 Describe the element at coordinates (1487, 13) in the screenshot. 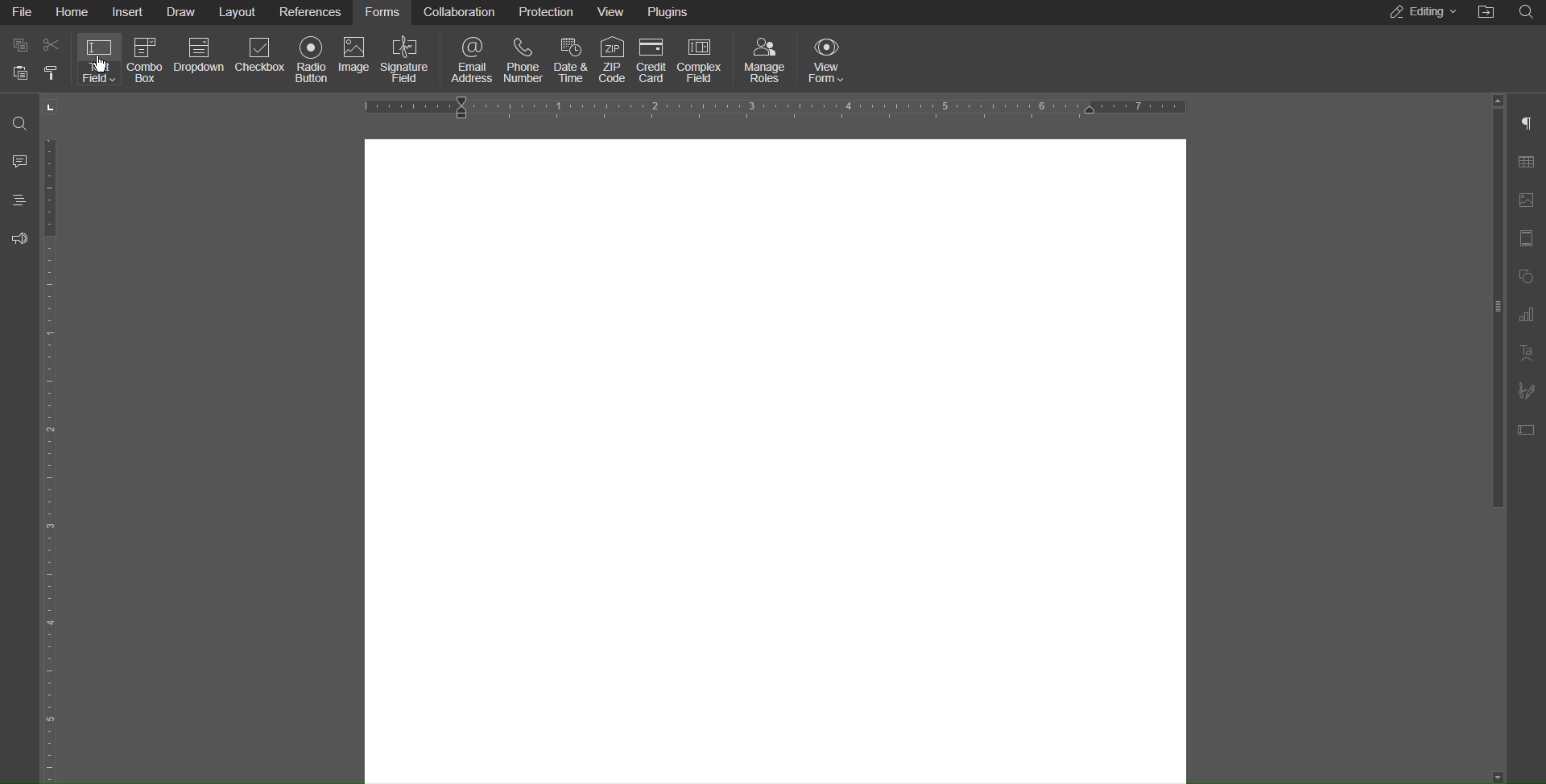

I see `Open File Location` at that location.